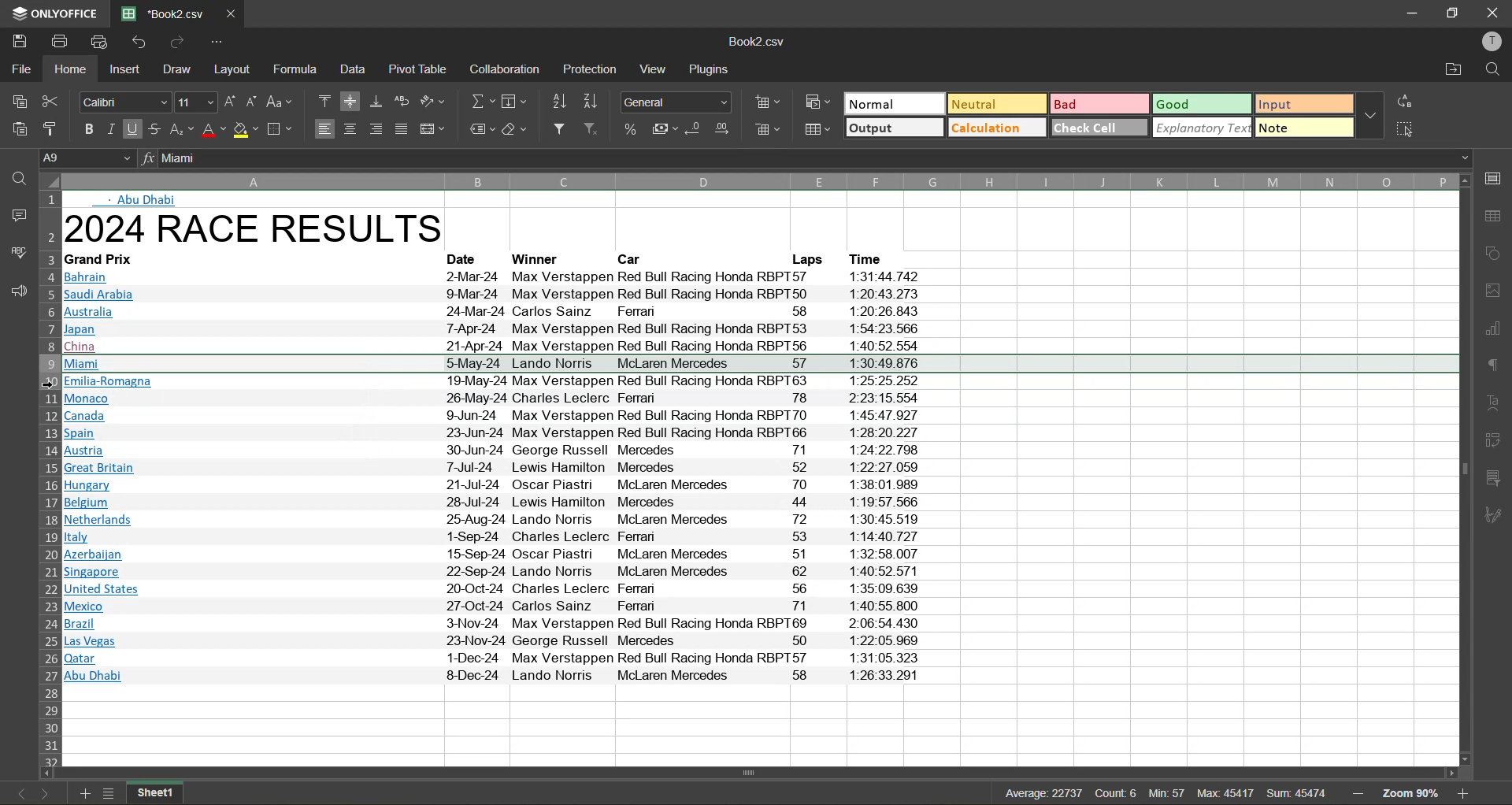 This screenshot has width=1512, height=805. I want to click on Austria 30-Jun-24 George Russell Mercedes 71 1:24:22.798, so click(492, 451).